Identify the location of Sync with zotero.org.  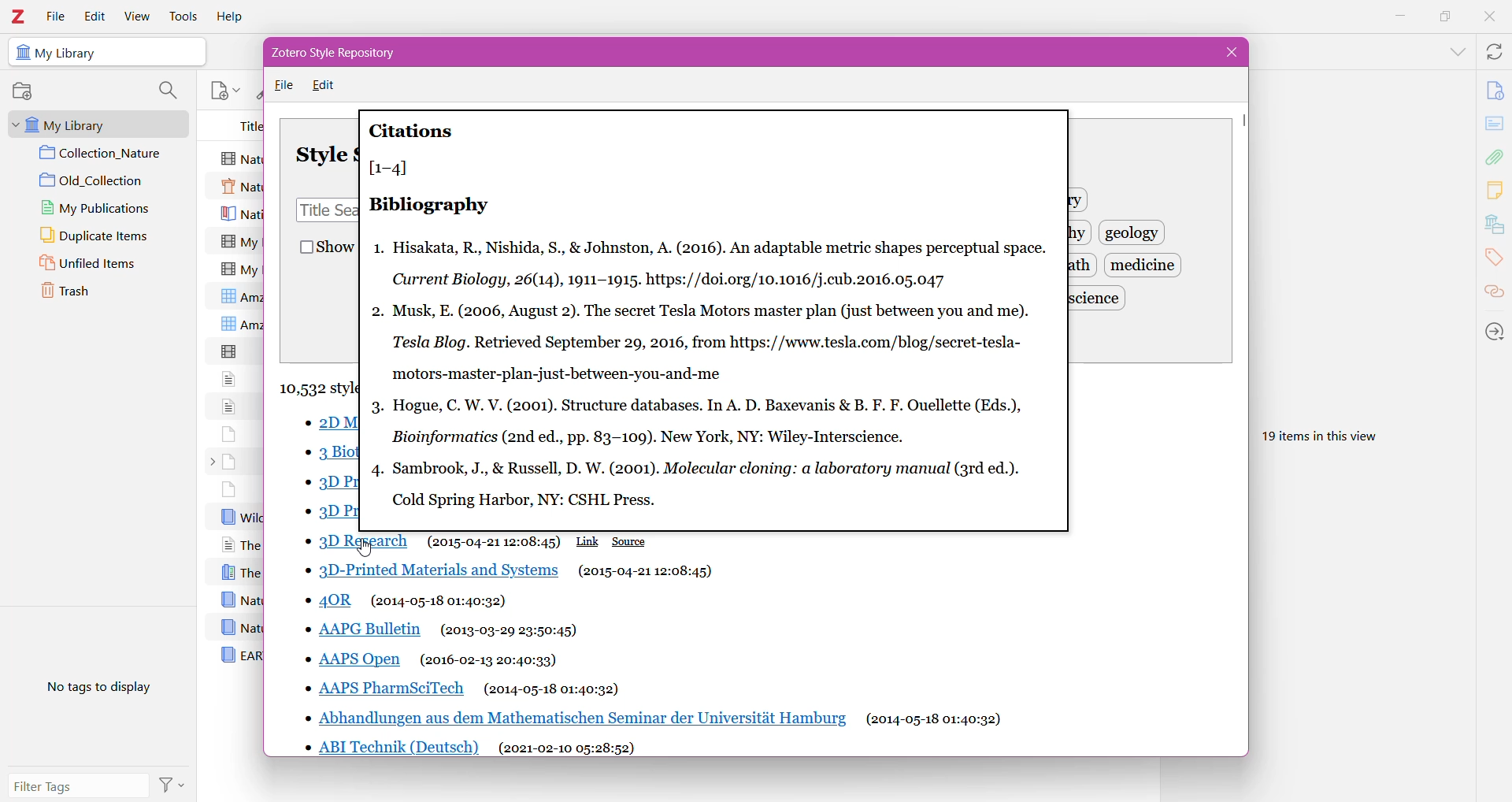
(1493, 51).